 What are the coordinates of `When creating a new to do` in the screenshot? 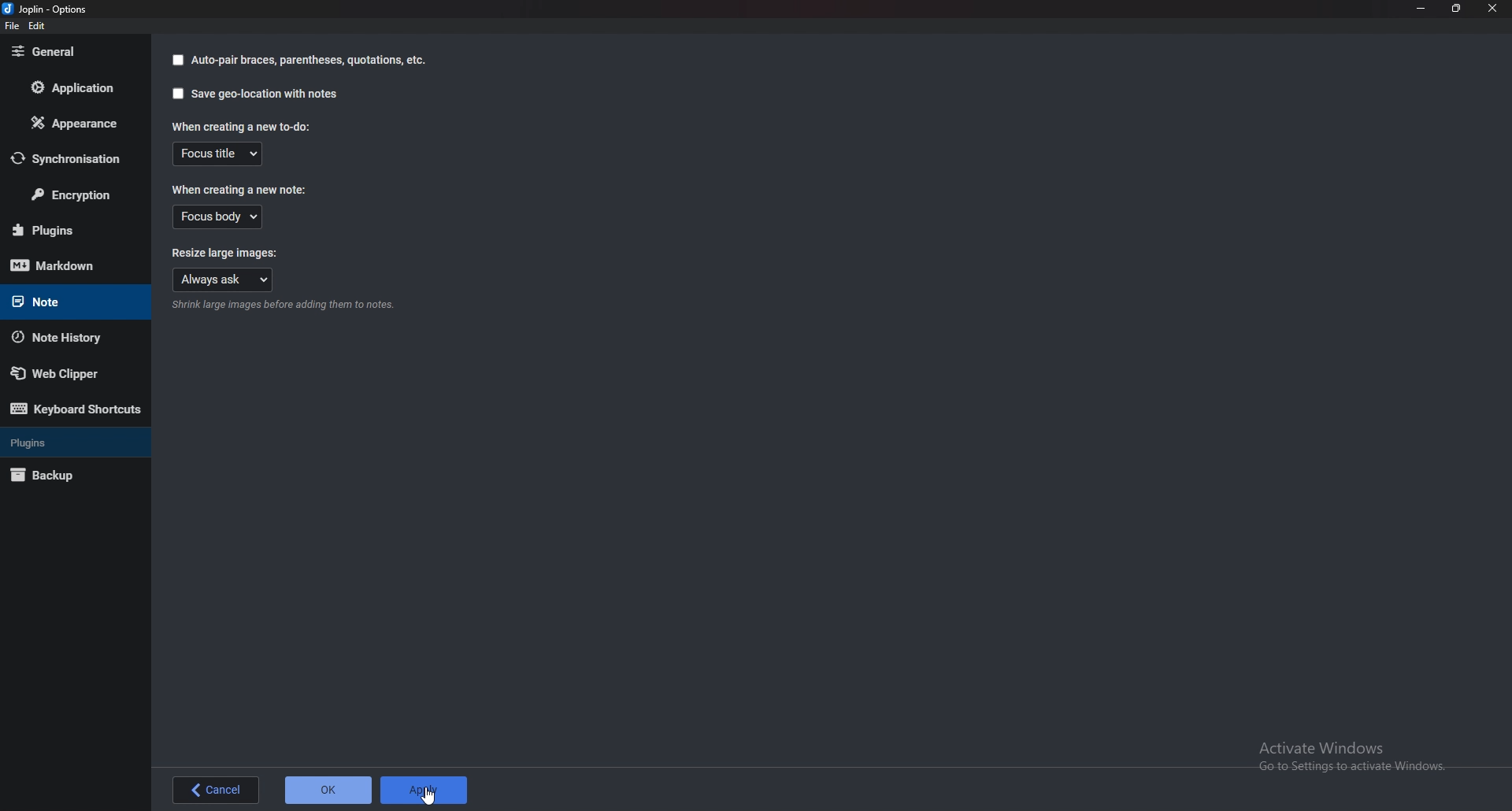 It's located at (240, 126).